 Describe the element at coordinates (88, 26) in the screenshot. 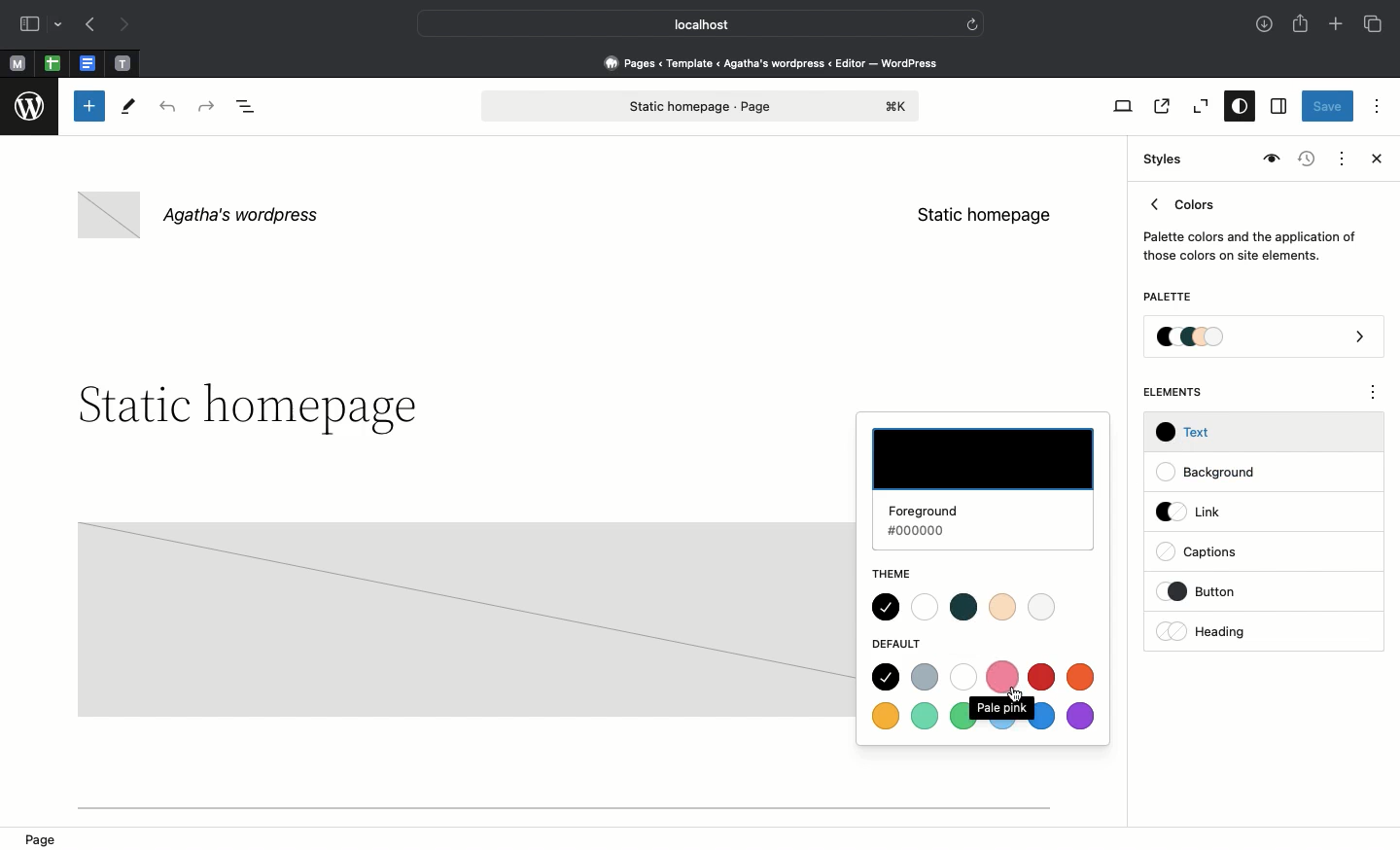

I see `Previous page` at that location.